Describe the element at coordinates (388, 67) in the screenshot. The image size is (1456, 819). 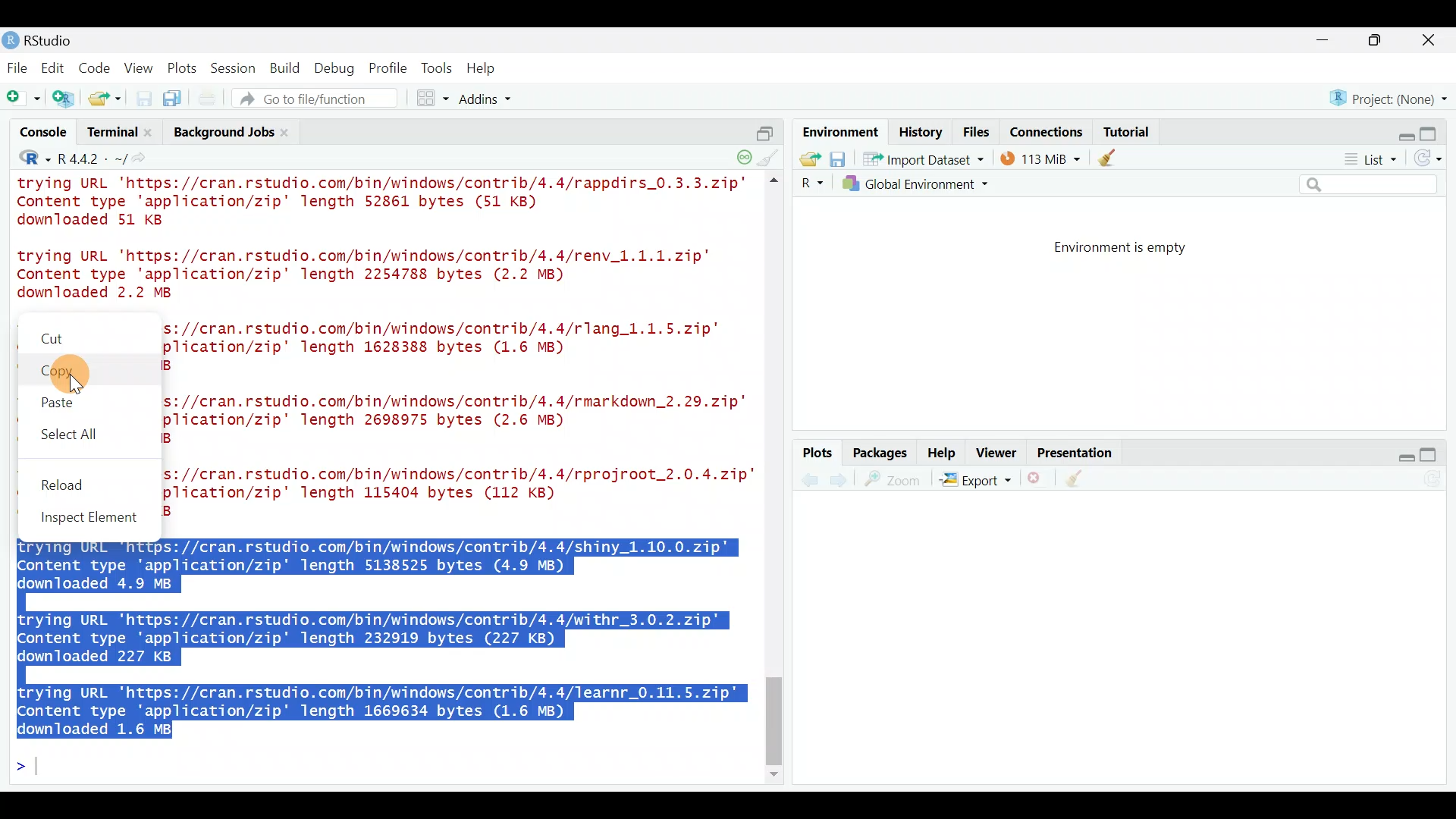
I see `Profile` at that location.